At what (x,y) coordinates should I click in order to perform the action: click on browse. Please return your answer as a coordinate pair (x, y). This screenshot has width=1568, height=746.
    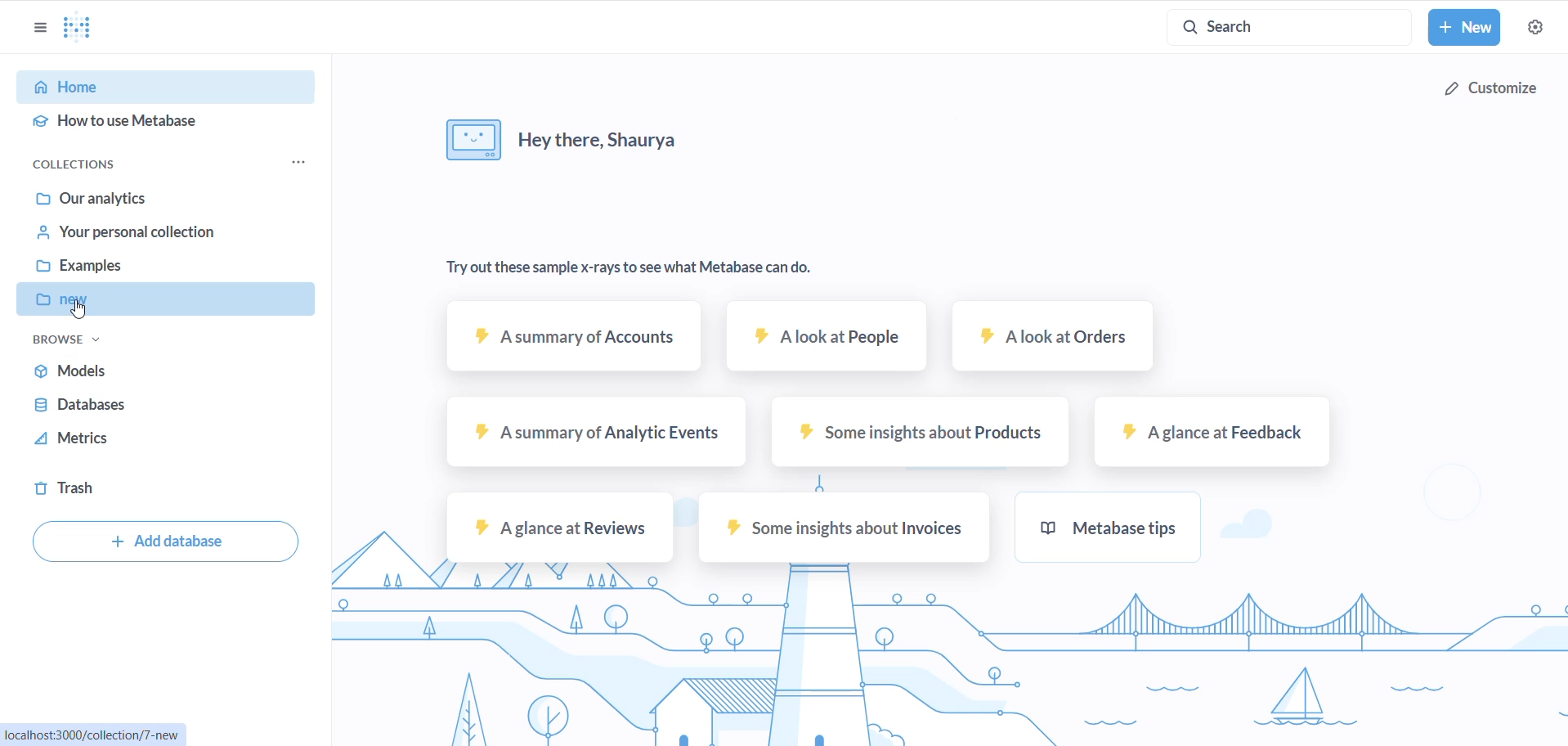
    Looking at the image, I should click on (68, 344).